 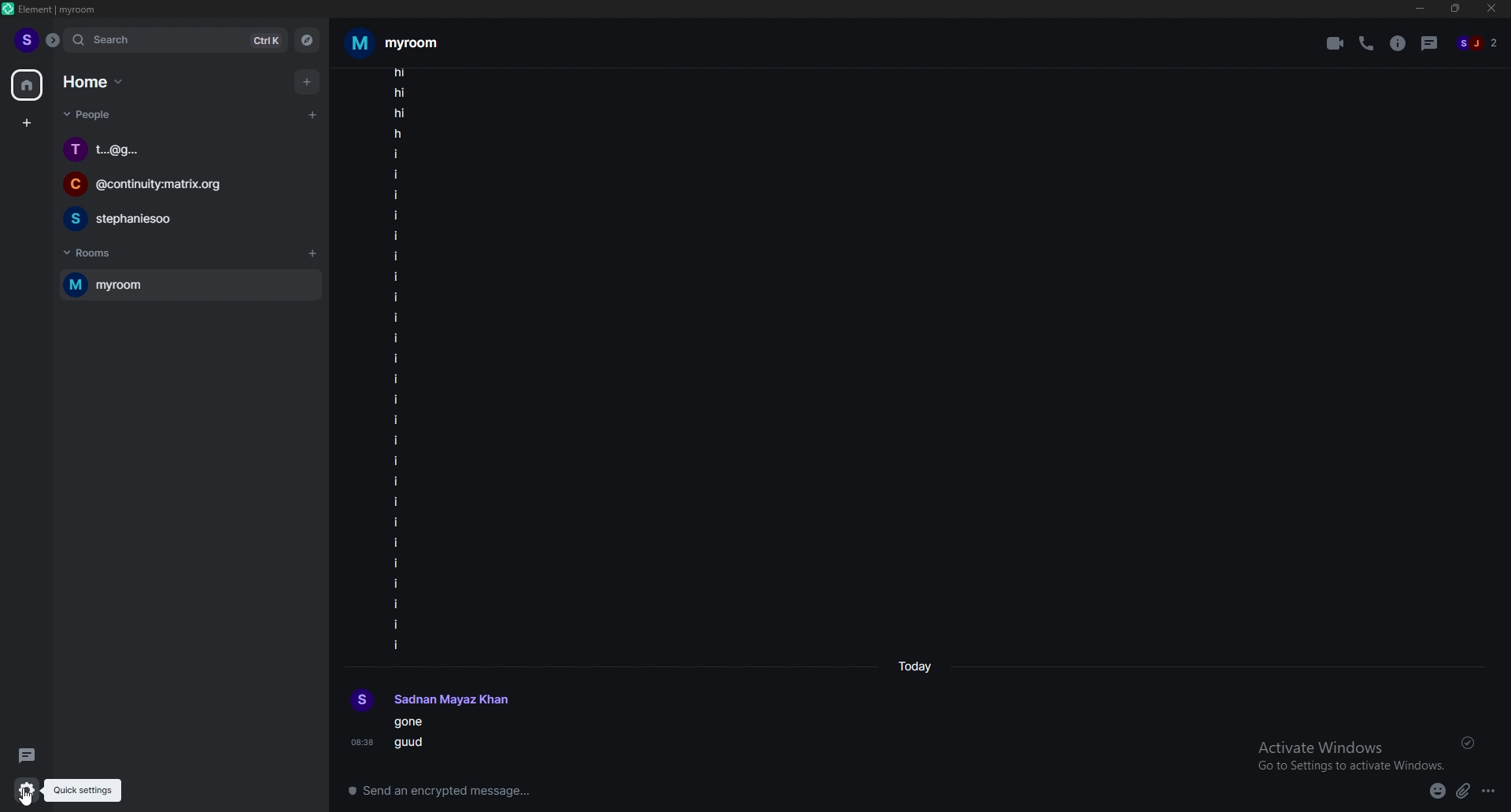 I want to click on people, so click(x=91, y=113).